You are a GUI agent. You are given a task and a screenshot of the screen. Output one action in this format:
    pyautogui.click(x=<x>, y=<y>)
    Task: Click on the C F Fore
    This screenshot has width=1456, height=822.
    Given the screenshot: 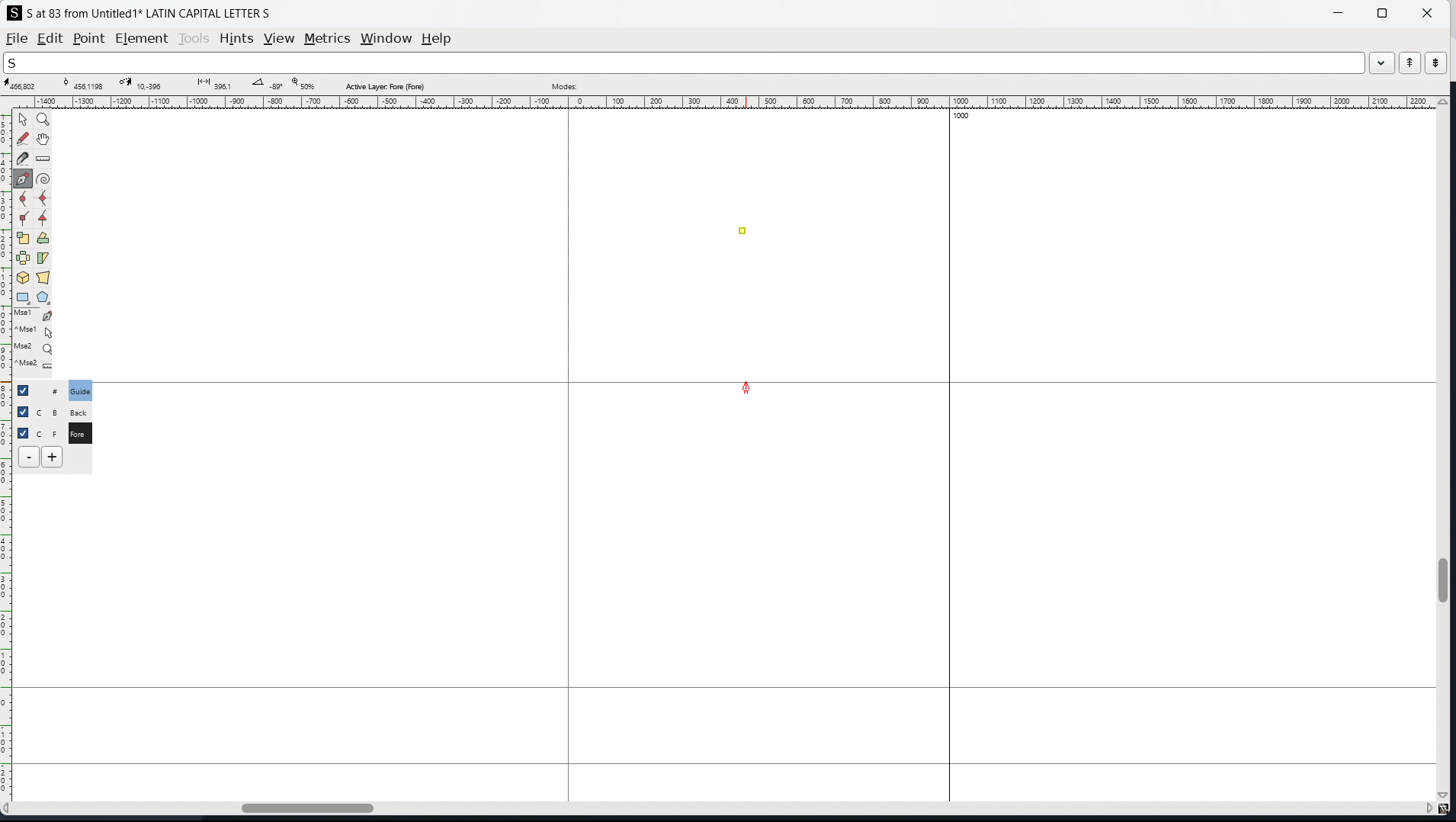 What is the action you would take?
    pyautogui.click(x=79, y=432)
    